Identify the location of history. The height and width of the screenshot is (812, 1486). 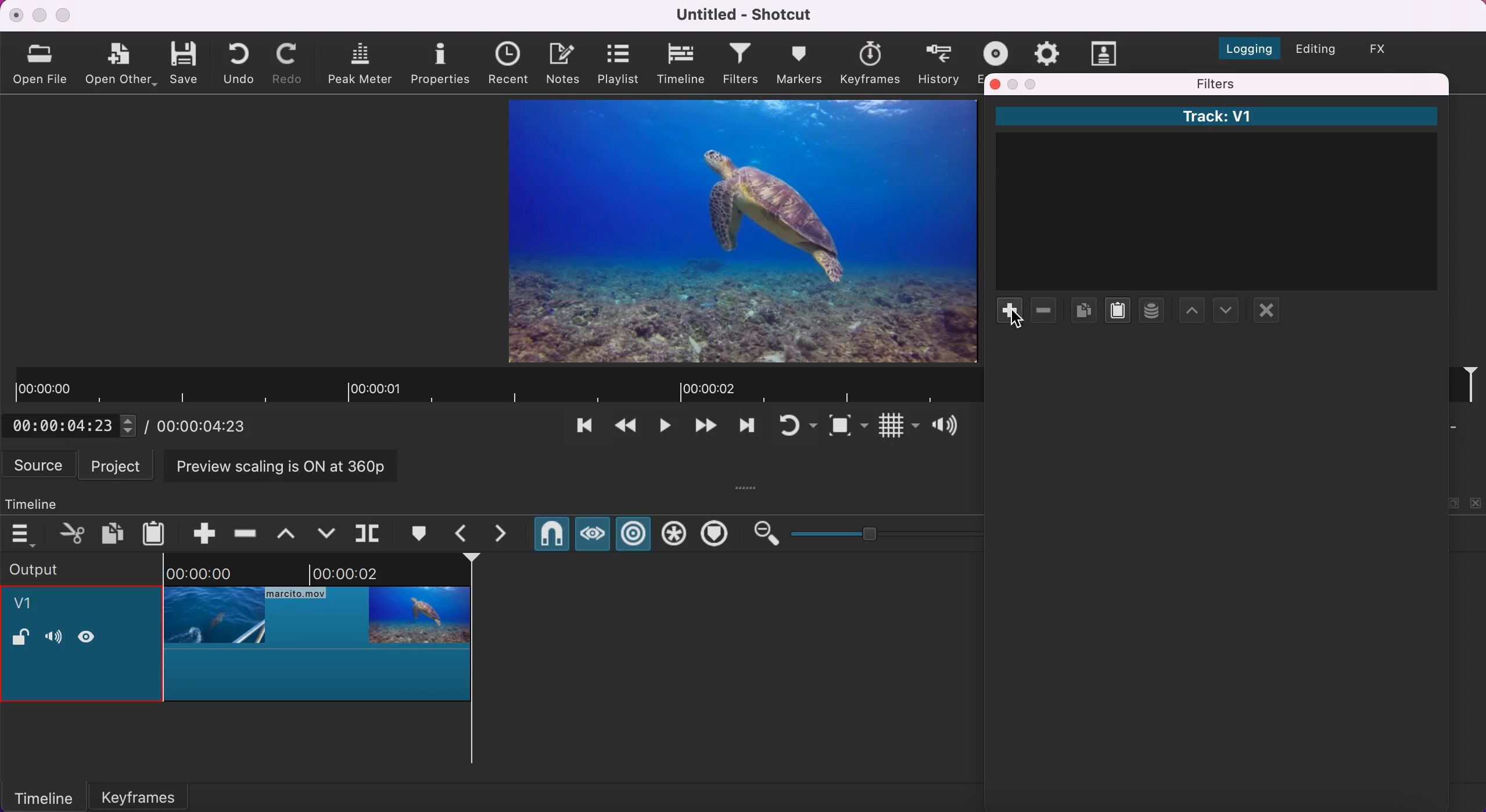
(940, 63).